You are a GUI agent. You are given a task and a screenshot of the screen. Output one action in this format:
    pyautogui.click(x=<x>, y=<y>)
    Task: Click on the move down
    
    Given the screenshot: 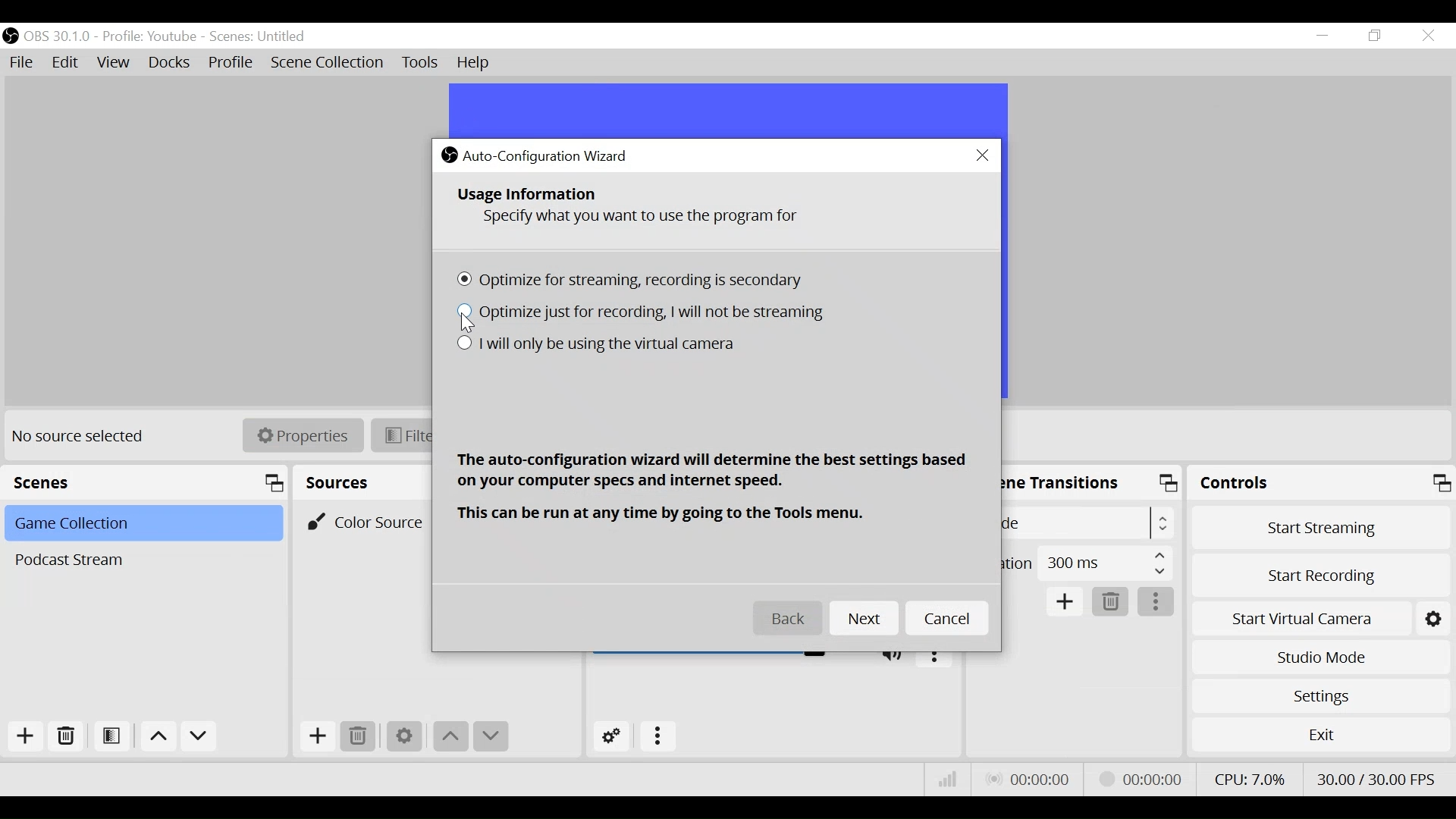 What is the action you would take?
    pyautogui.click(x=199, y=737)
    